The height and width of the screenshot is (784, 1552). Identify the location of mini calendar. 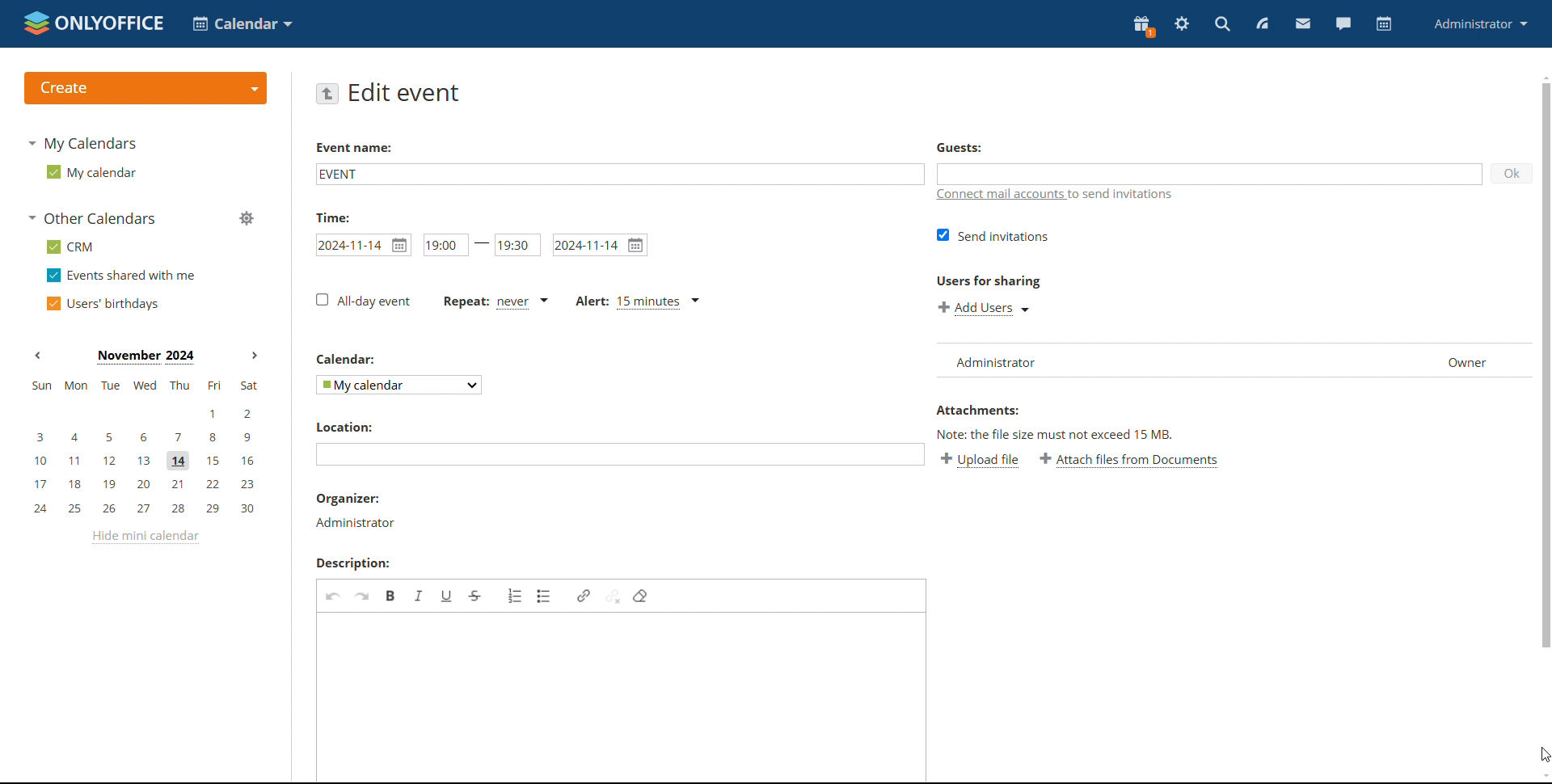
(145, 448).